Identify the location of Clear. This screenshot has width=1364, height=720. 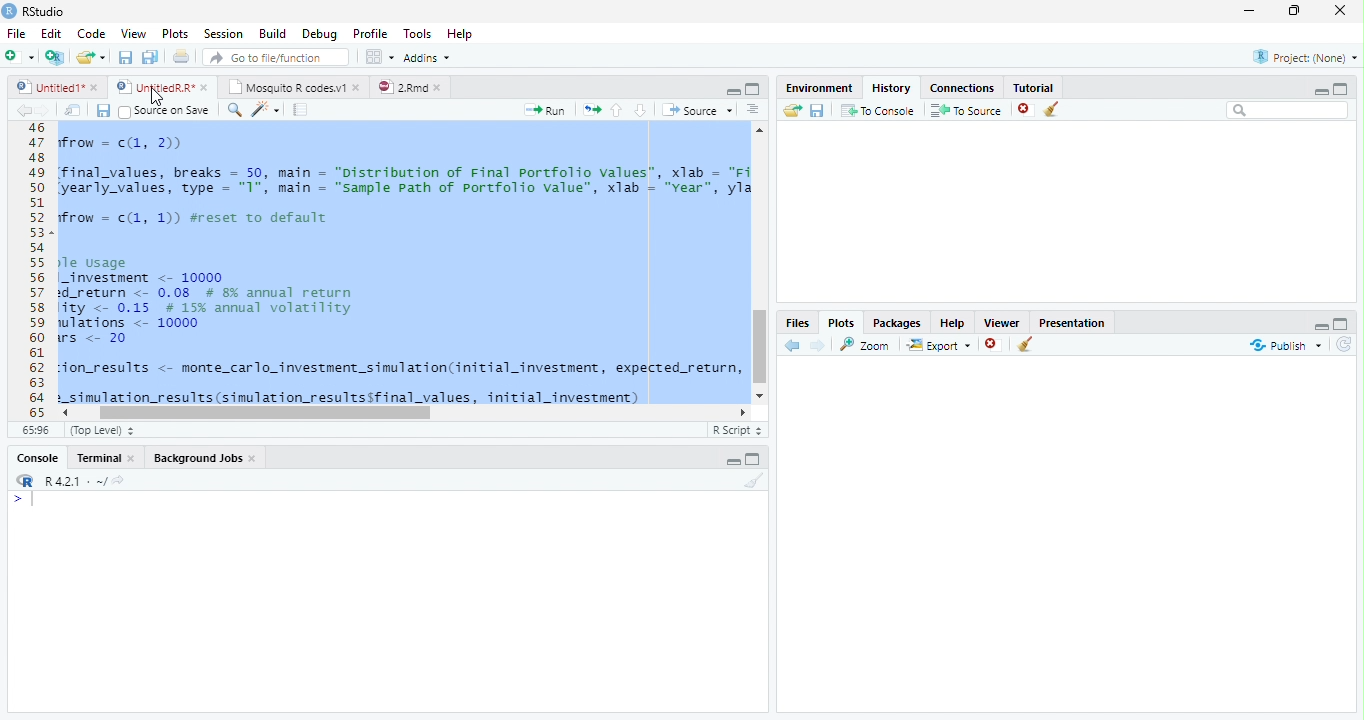
(1056, 110).